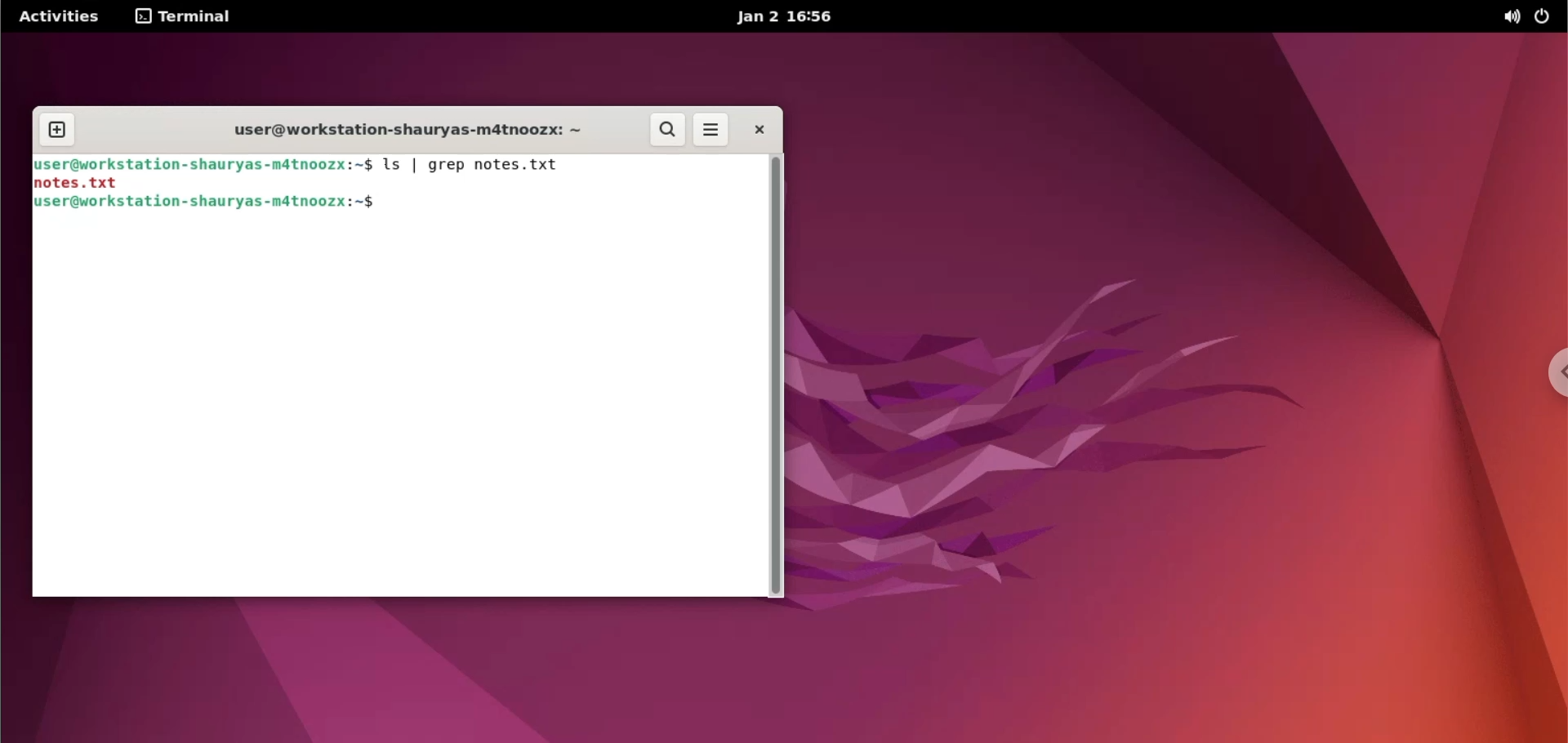 This screenshot has width=1568, height=743. What do you see at coordinates (220, 206) in the screenshot?
I see `user@workstation- shauryas-m4tnoozx:~$` at bounding box center [220, 206].